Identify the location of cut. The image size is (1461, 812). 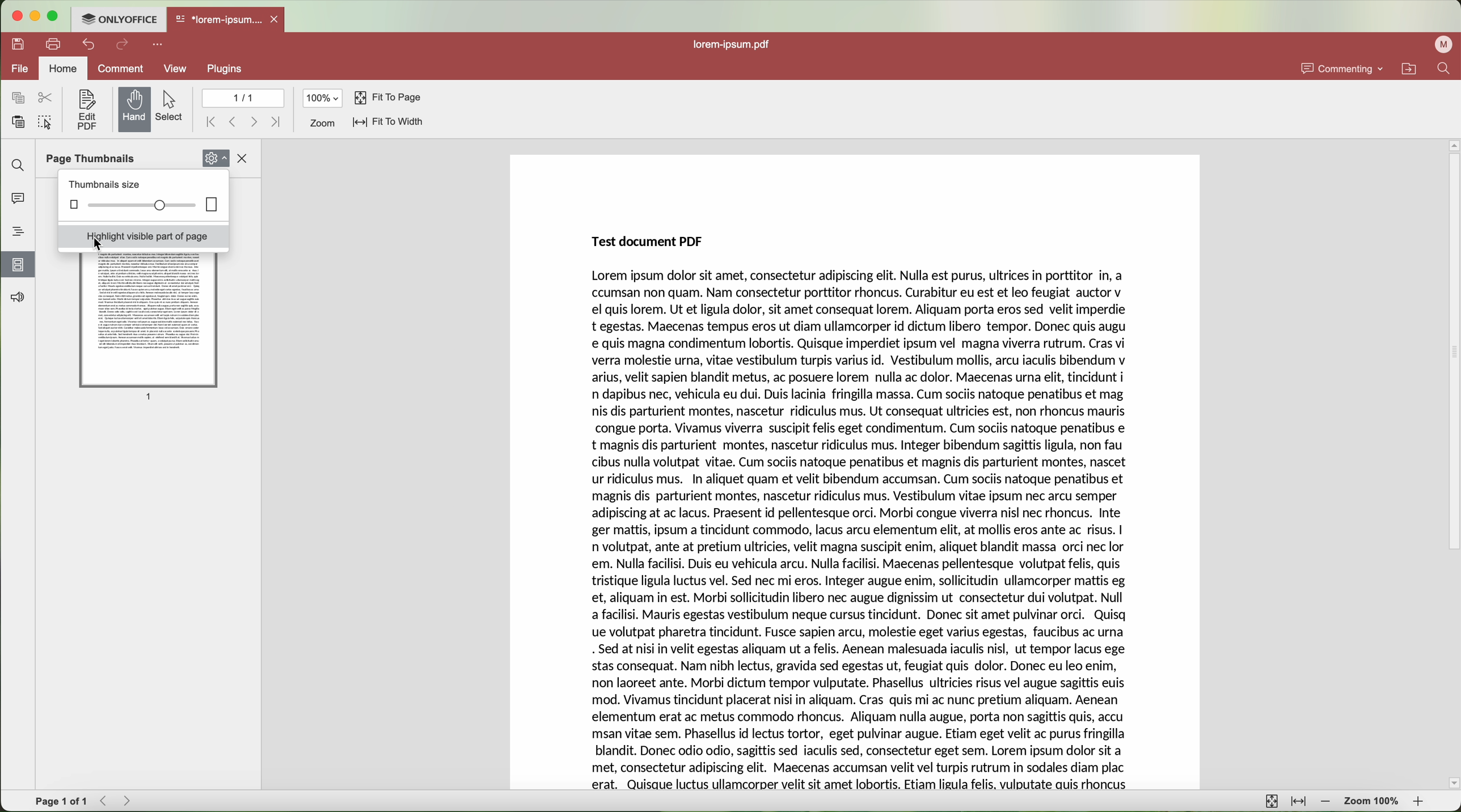
(47, 98).